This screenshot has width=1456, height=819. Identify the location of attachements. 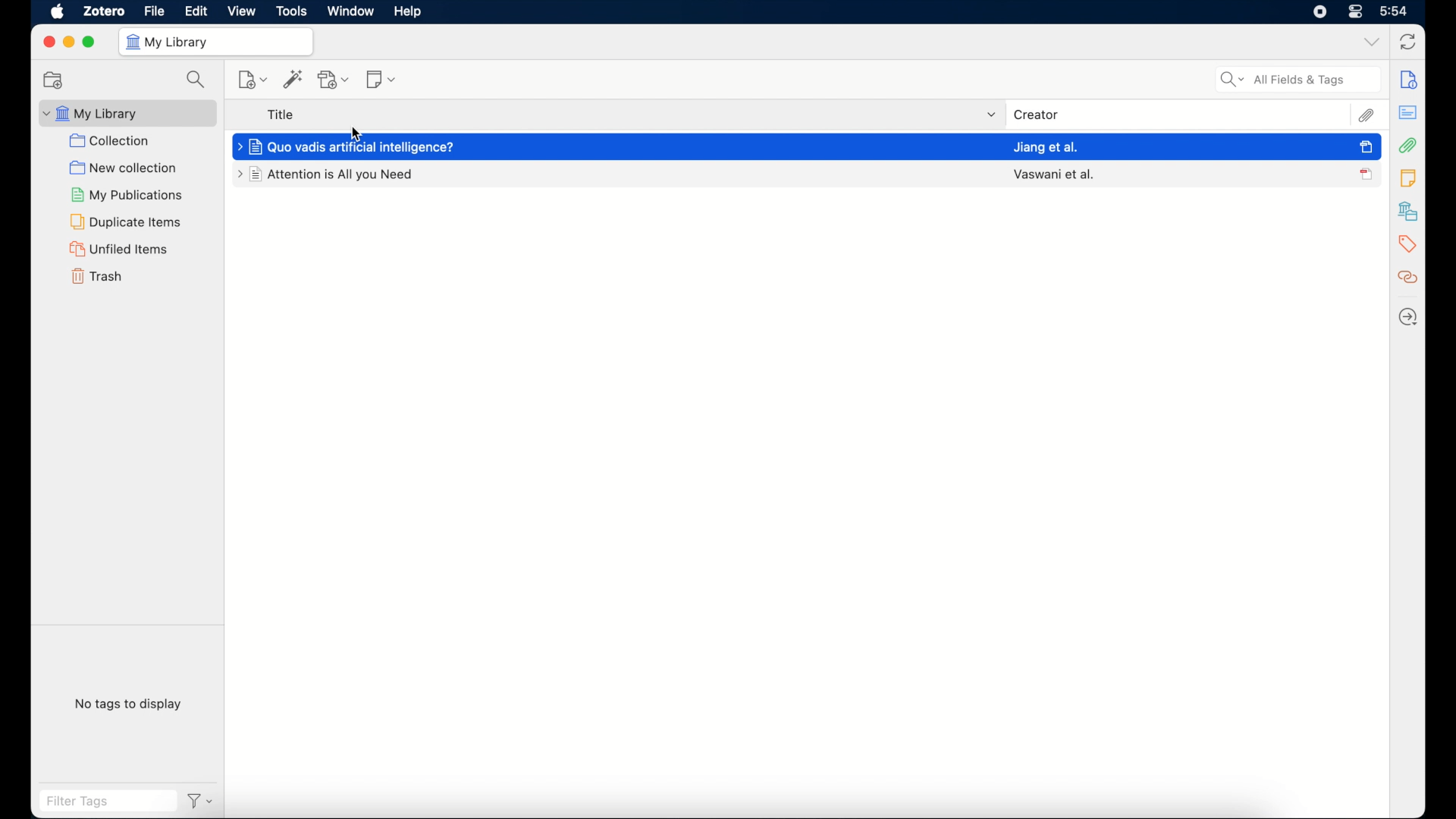
(1407, 146).